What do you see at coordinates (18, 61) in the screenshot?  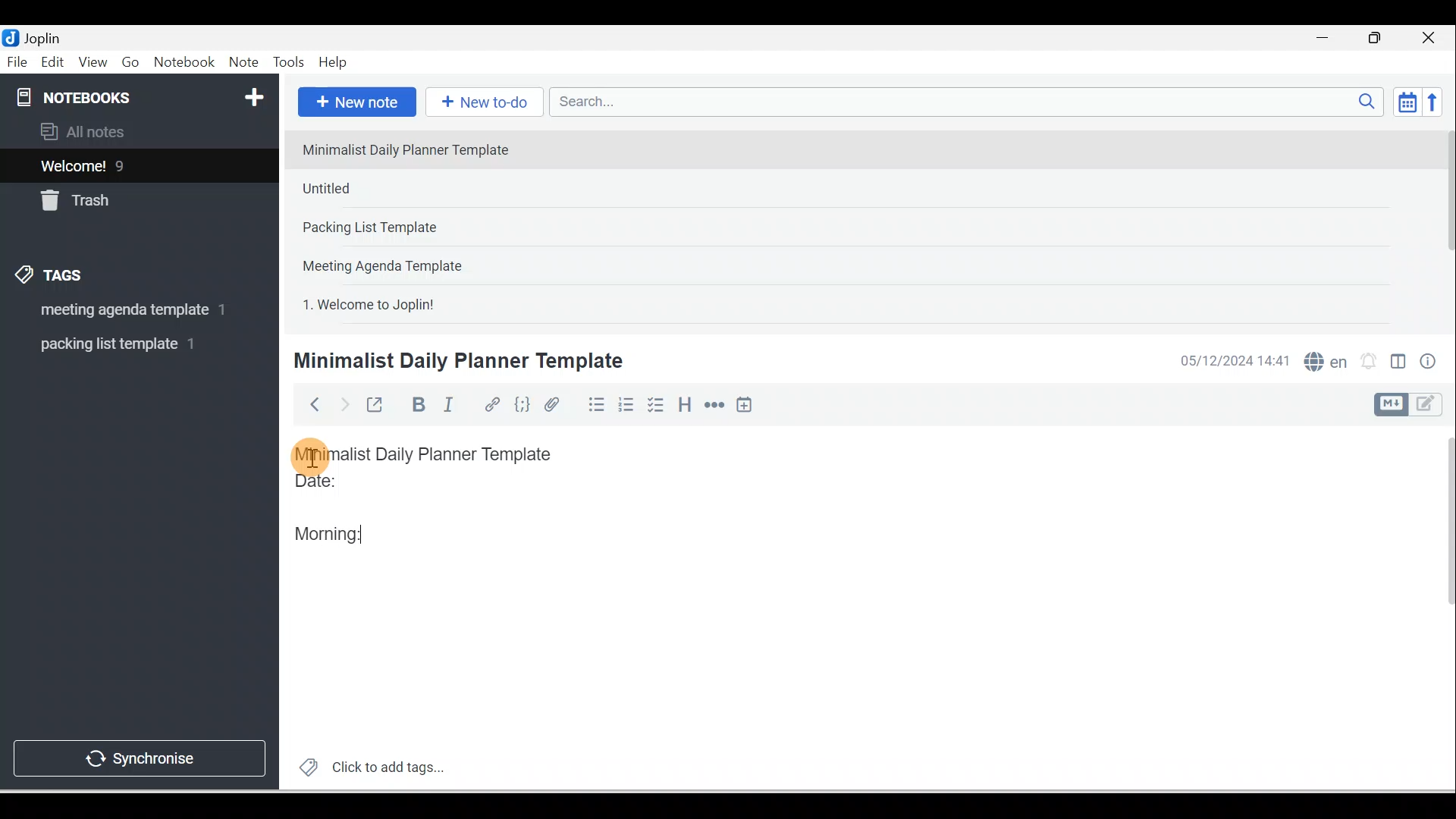 I see `File` at bounding box center [18, 61].